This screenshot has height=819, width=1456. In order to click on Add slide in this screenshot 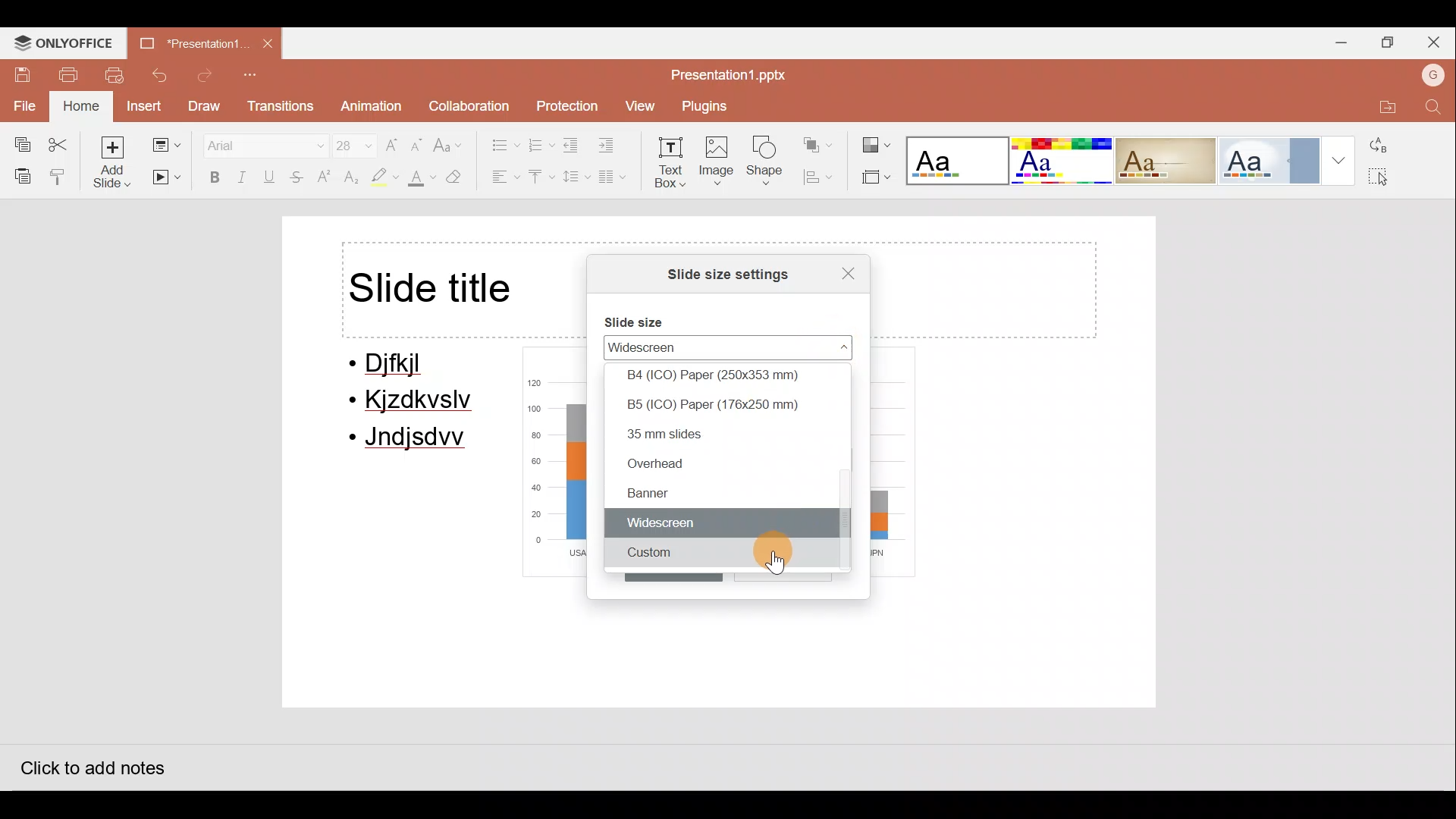, I will do `click(113, 162)`.